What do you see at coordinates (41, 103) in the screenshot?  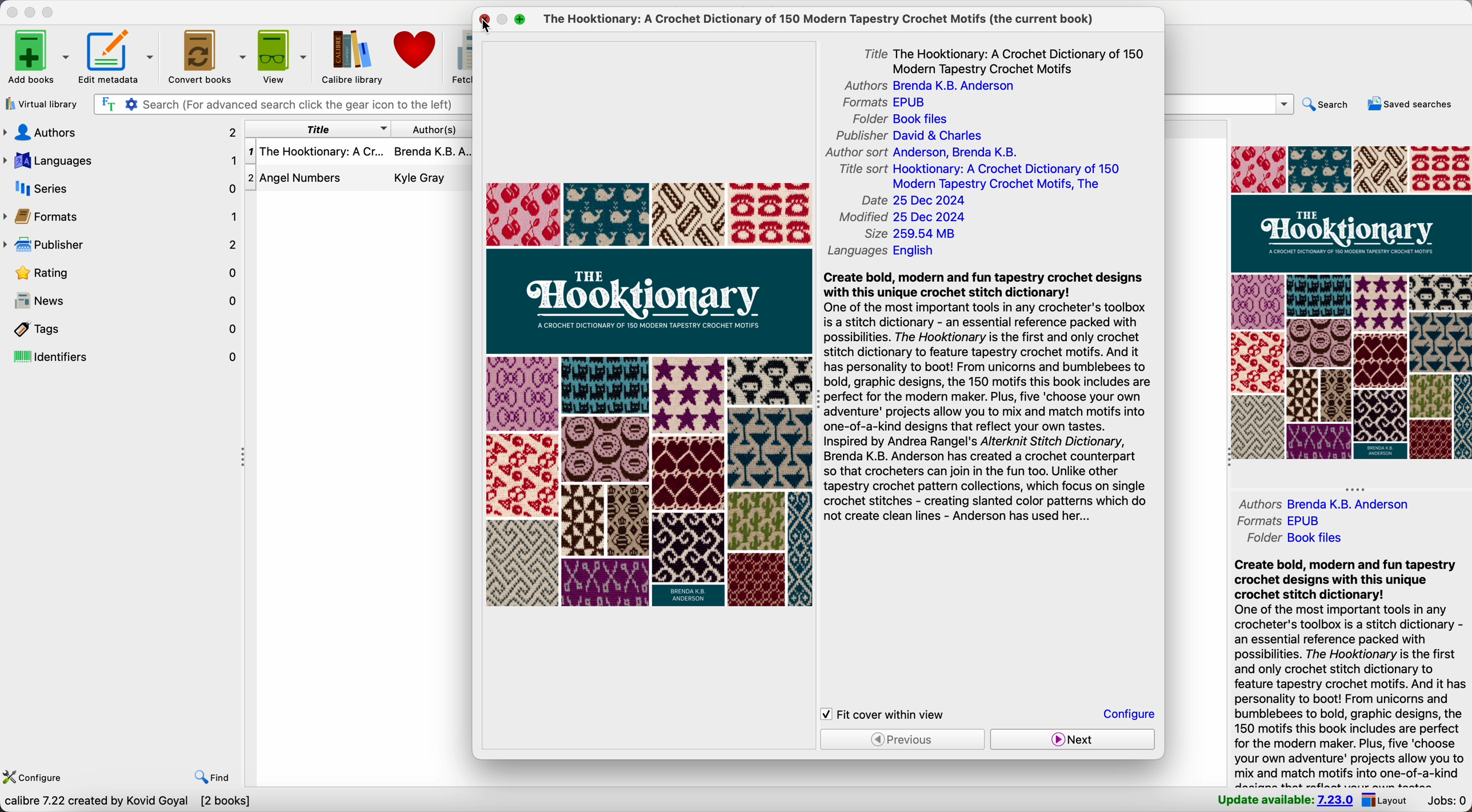 I see `virtual library` at bounding box center [41, 103].